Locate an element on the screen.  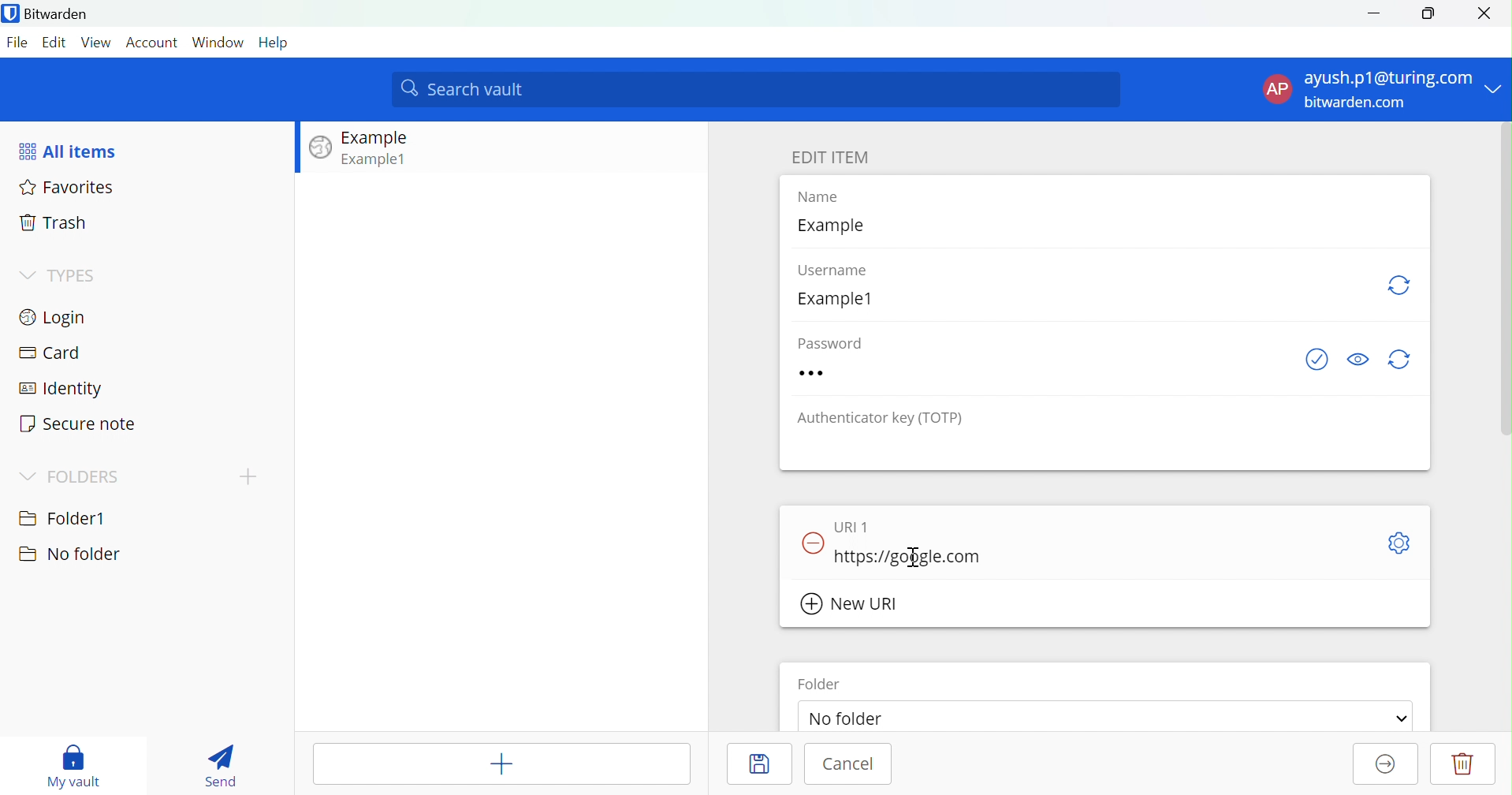
Generate Username is located at coordinates (1402, 286).